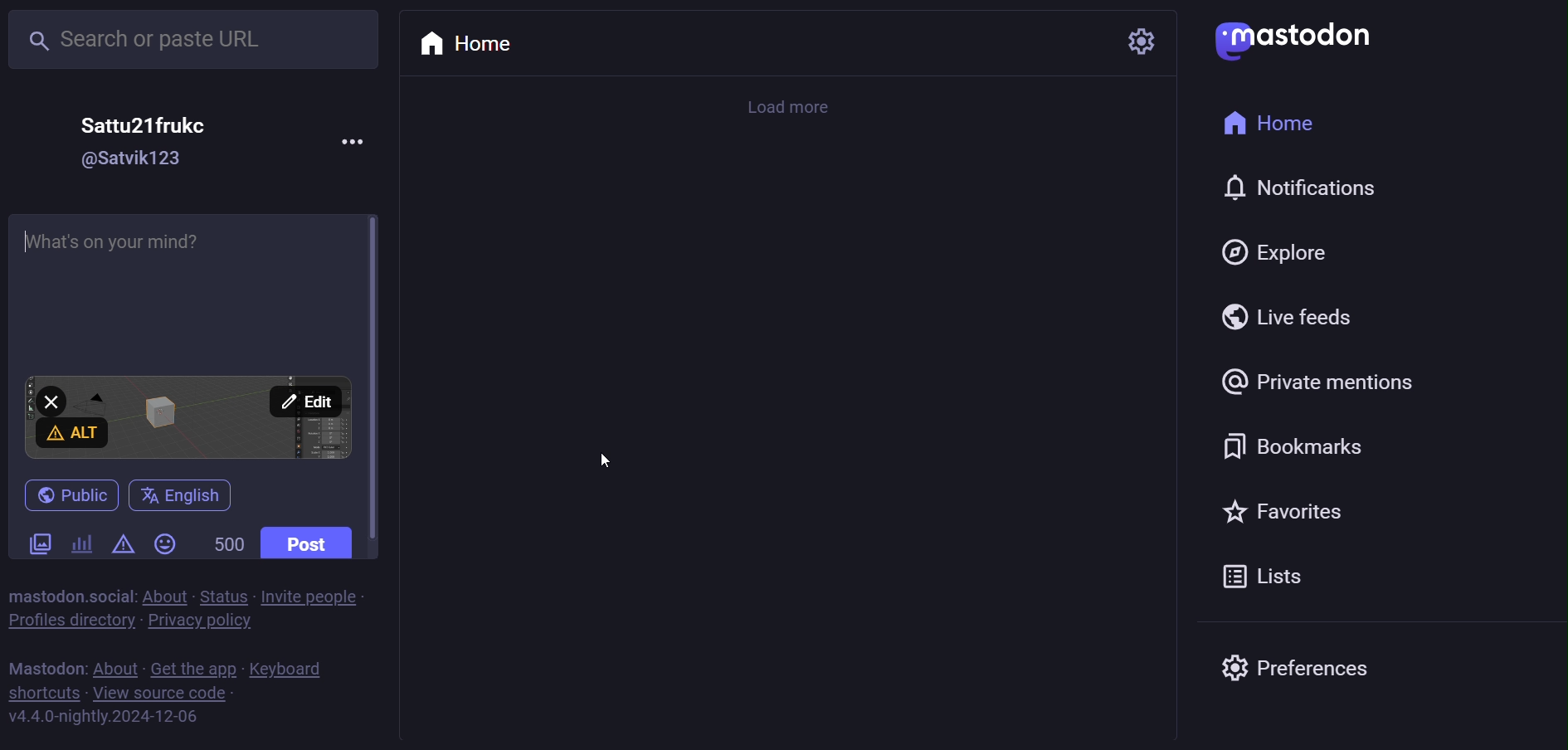 The height and width of the screenshot is (750, 1568). What do you see at coordinates (221, 594) in the screenshot?
I see `status` at bounding box center [221, 594].